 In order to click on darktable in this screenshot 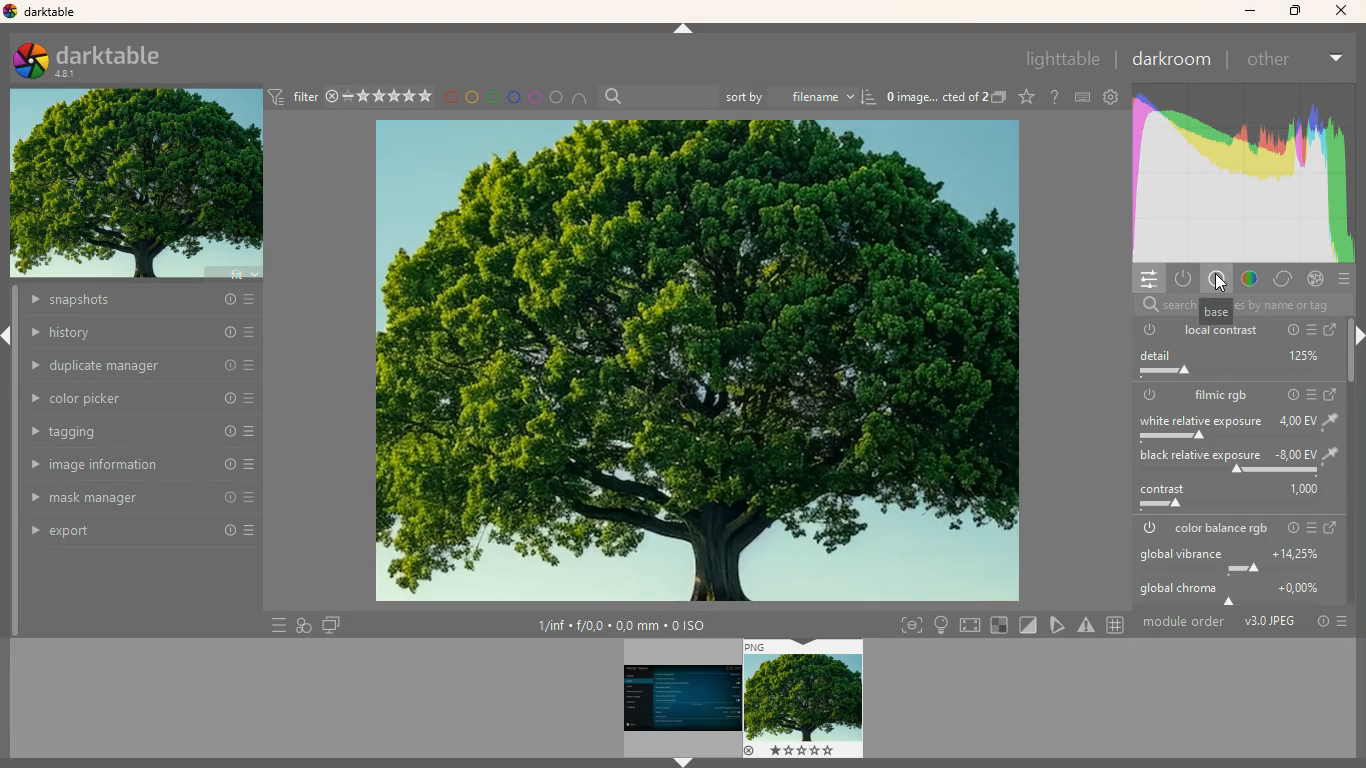, I will do `click(43, 12)`.